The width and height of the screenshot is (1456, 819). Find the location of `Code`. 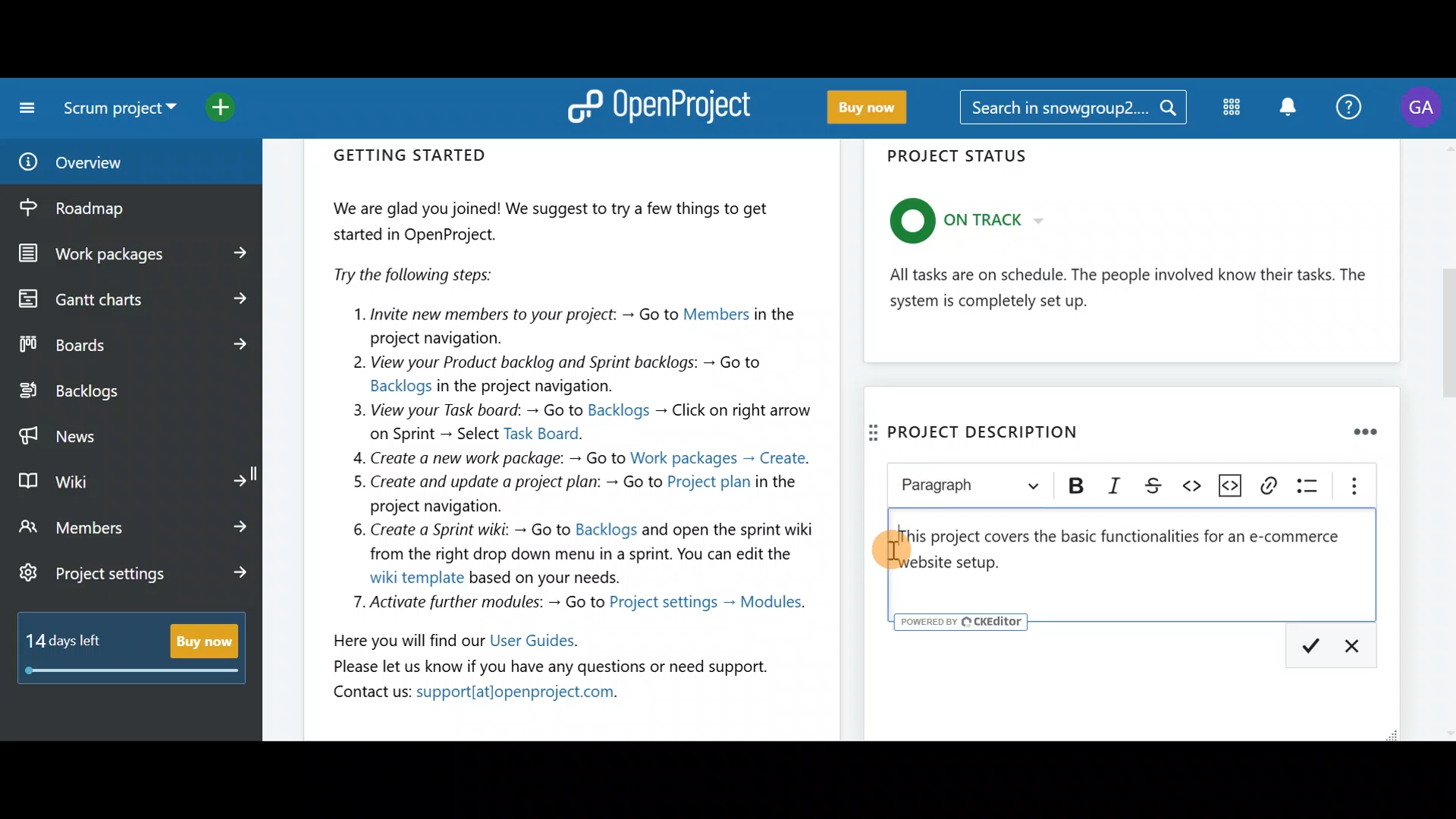

Code is located at coordinates (1186, 485).